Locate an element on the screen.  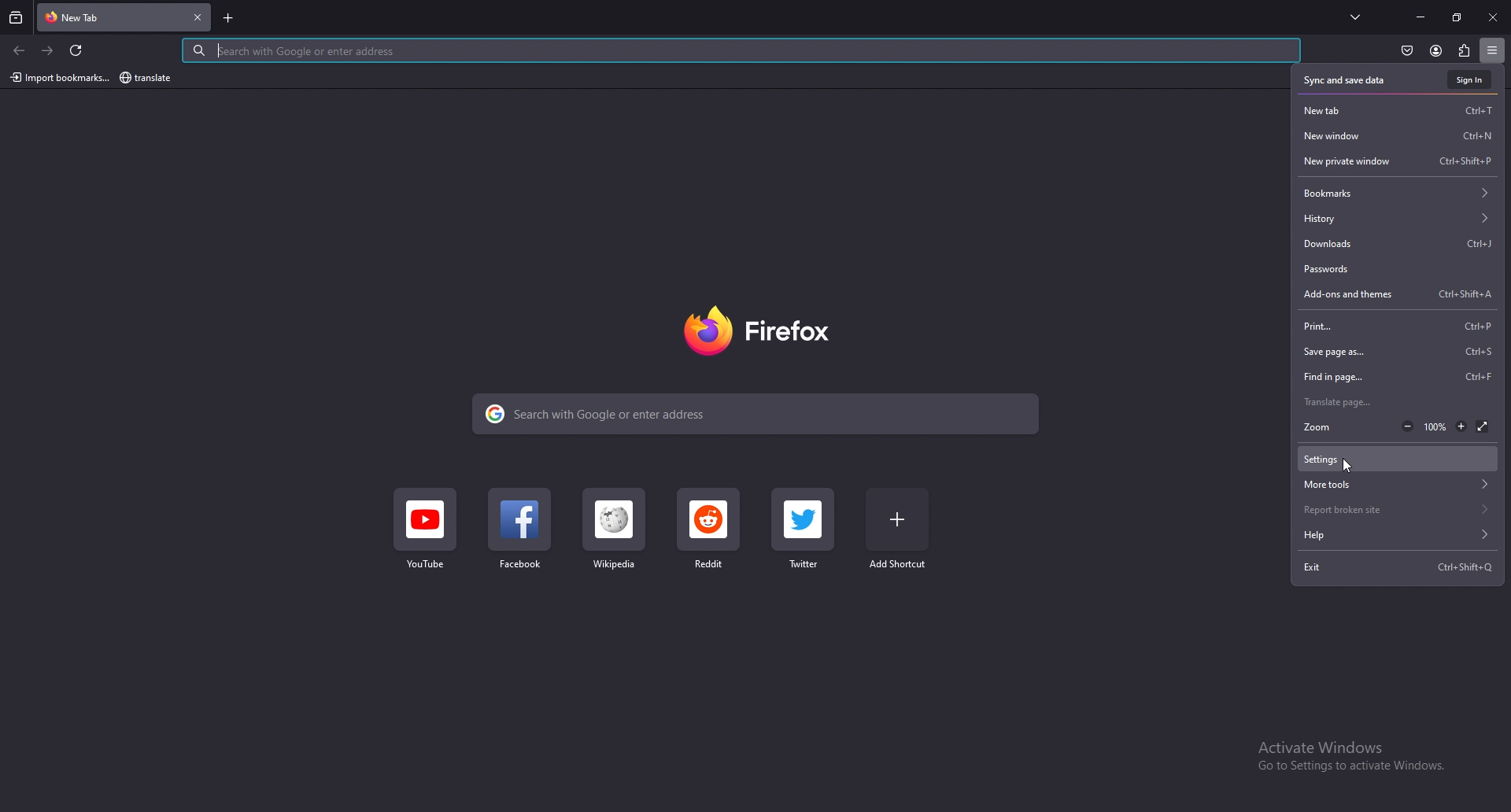
add ons and themes is located at coordinates (1401, 294).